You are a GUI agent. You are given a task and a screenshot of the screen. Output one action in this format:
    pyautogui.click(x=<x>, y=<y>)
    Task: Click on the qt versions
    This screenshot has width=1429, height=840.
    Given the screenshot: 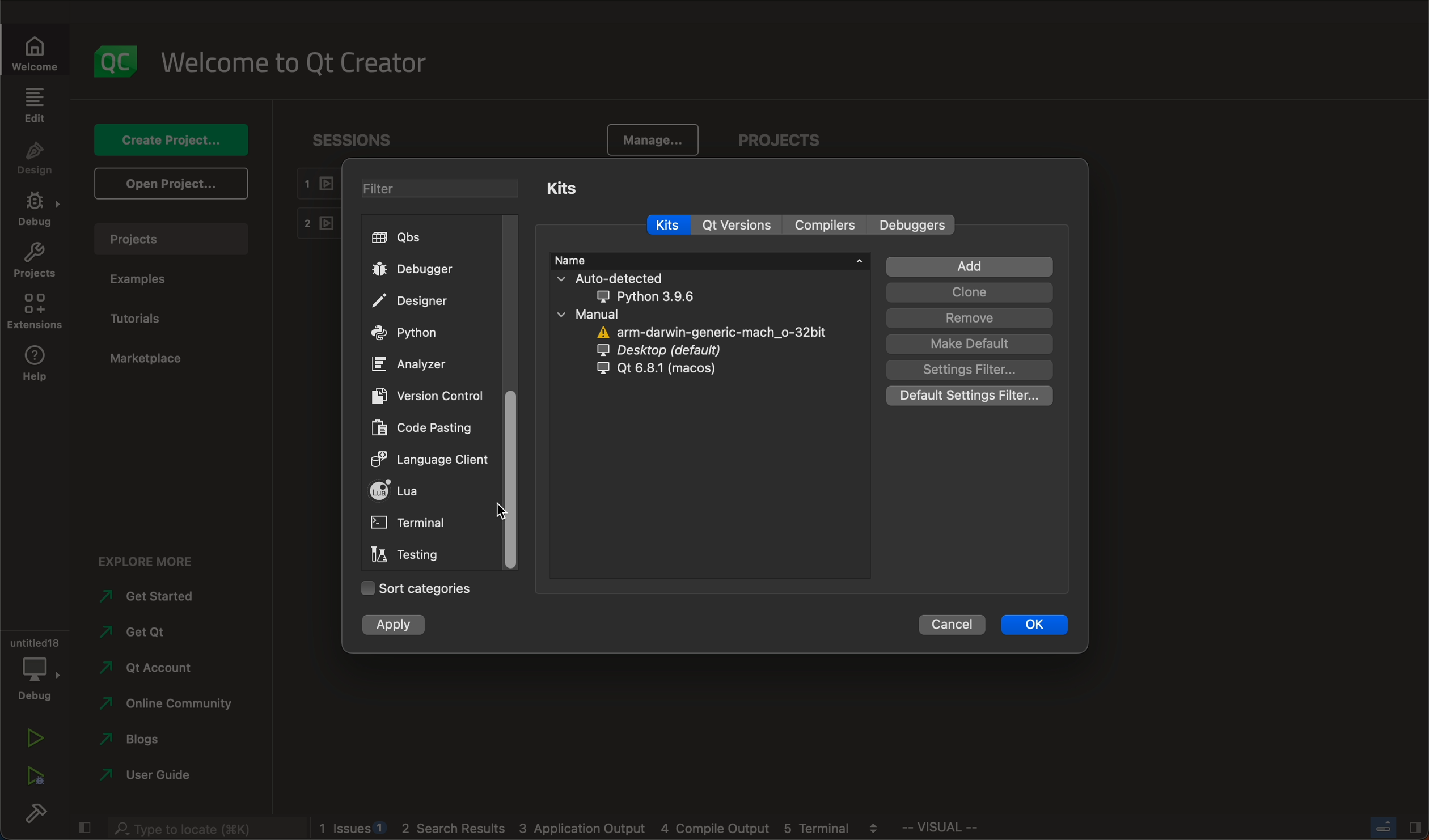 What is the action you would take?
    pyautogui.click(x=742, y=225)
    